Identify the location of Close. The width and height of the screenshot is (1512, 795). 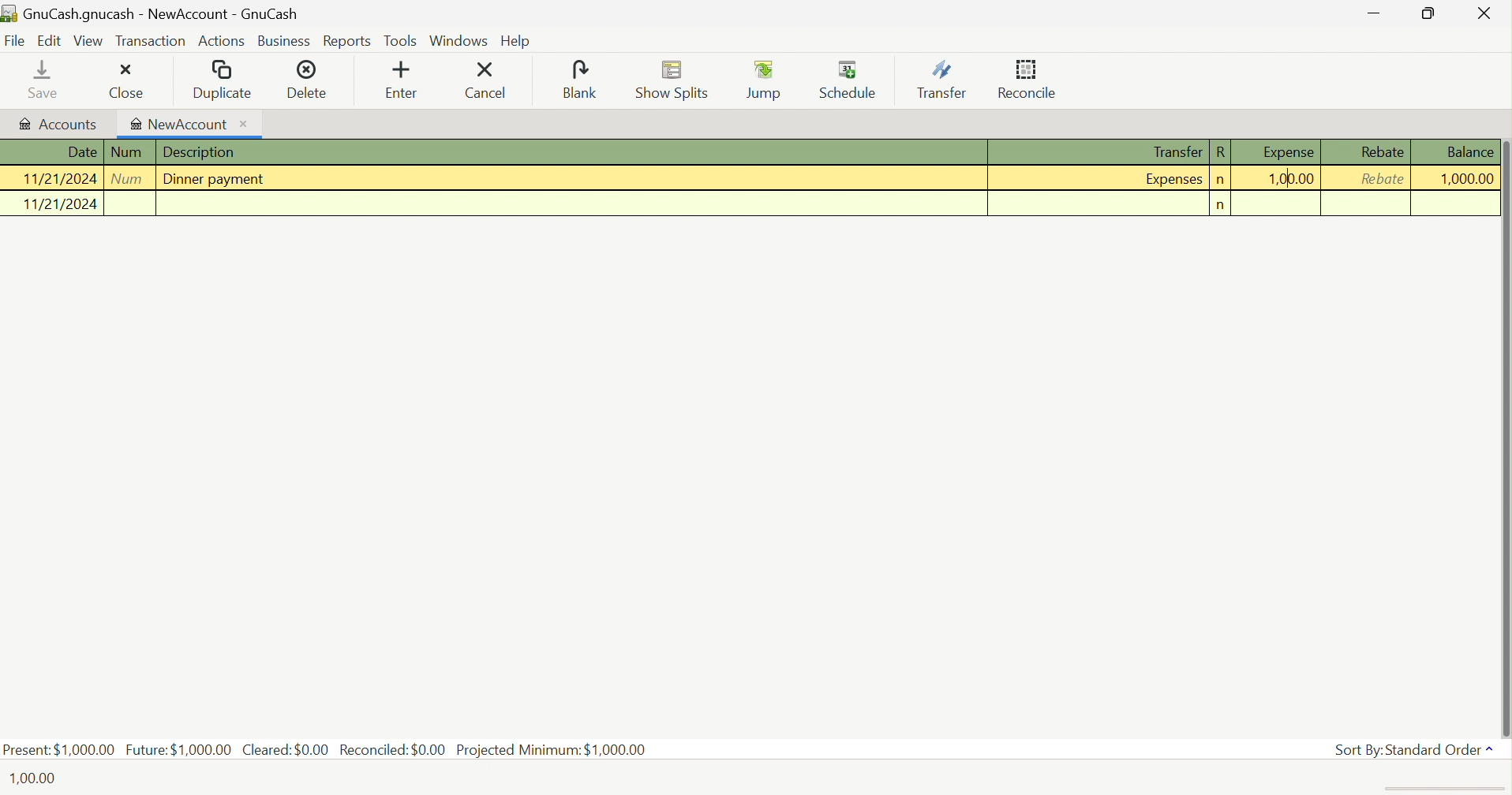
(121, 80).